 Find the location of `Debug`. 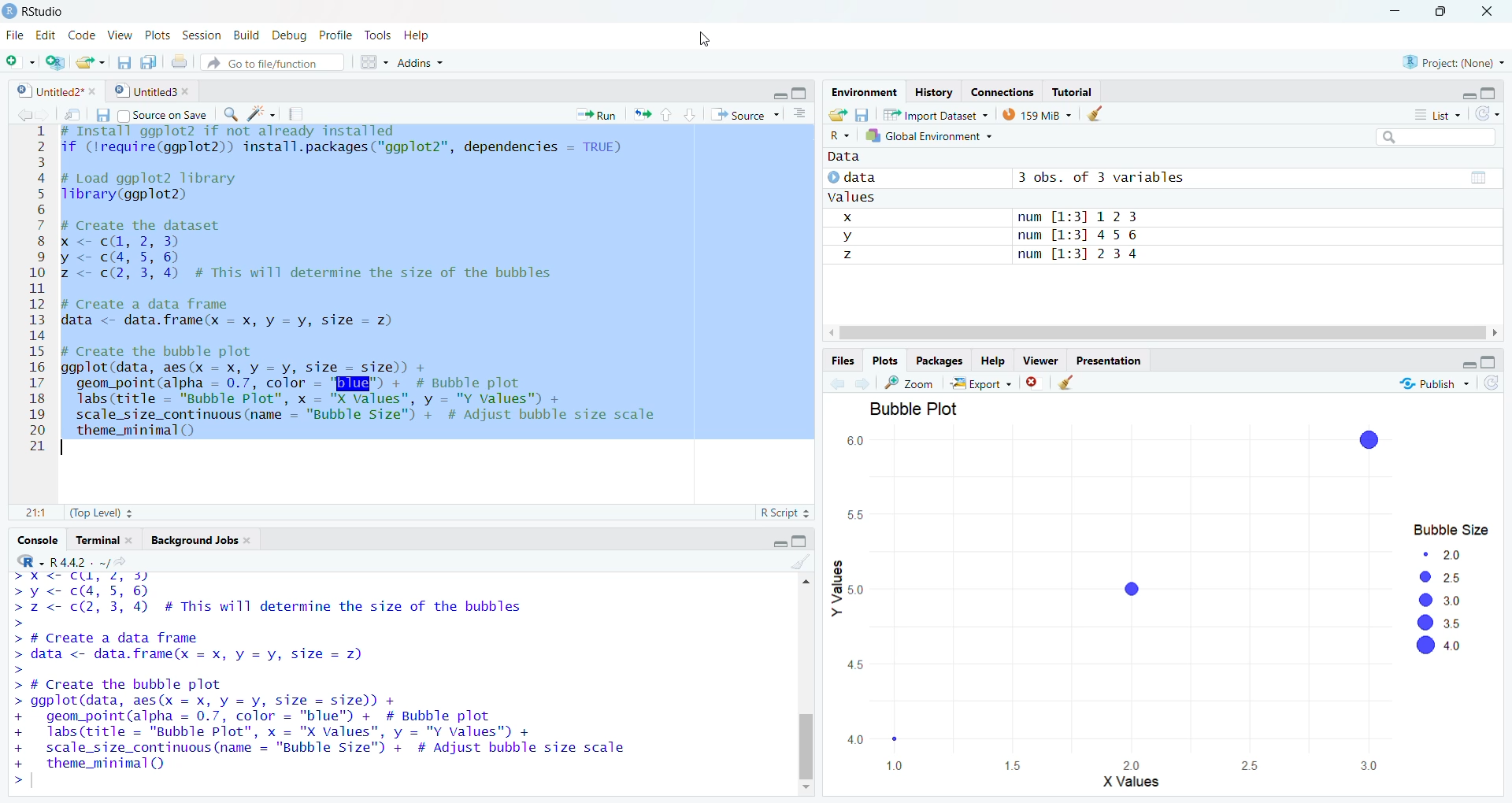

Debug is located at coordinates (291, 35).